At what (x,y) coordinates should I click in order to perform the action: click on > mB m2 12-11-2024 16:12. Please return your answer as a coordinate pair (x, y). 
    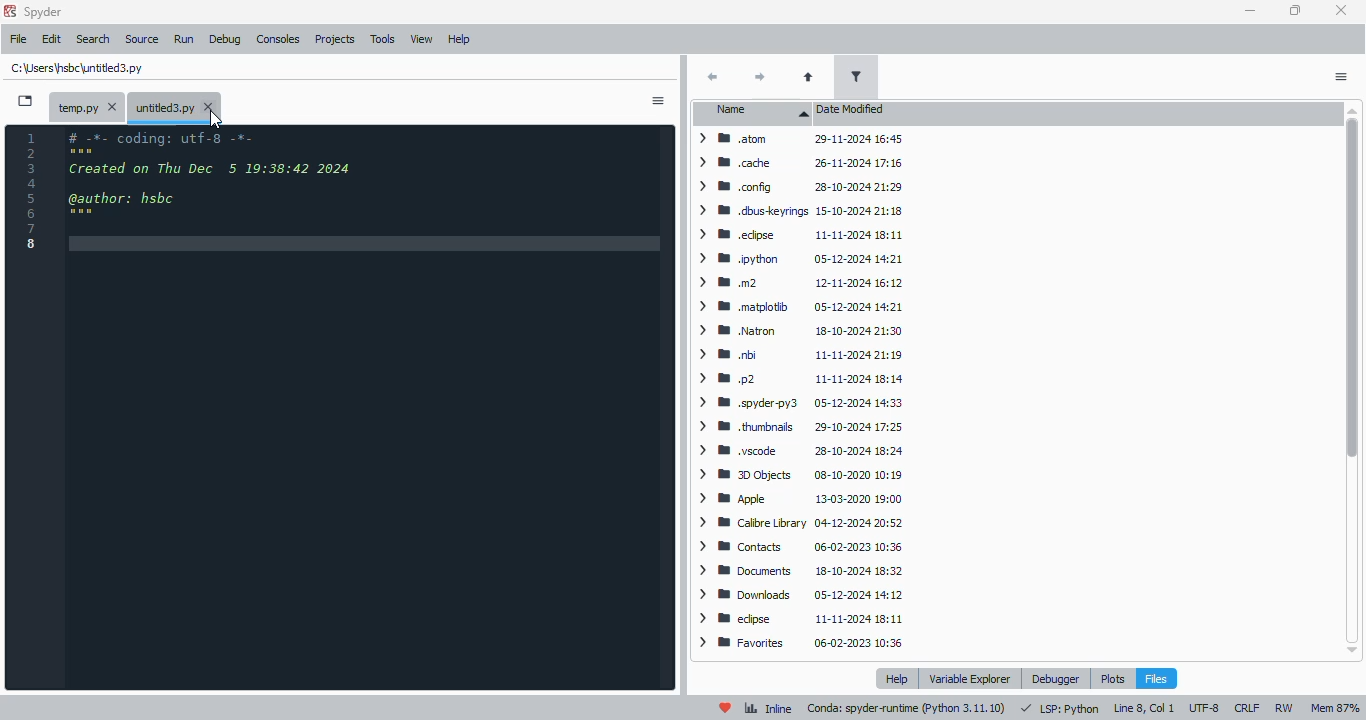
    Looking at the image, I should click on (796, 284).